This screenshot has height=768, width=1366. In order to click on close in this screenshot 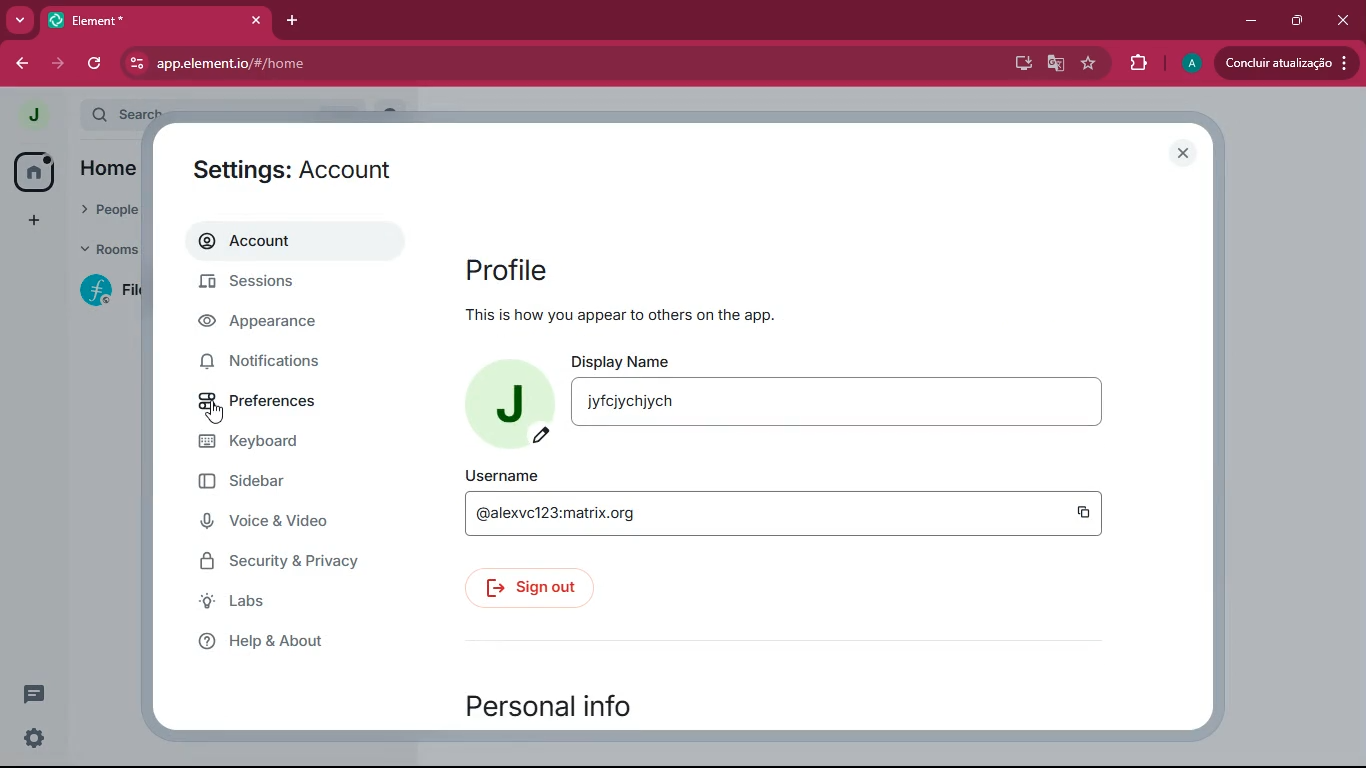, I will do `click(1345, 23)`.